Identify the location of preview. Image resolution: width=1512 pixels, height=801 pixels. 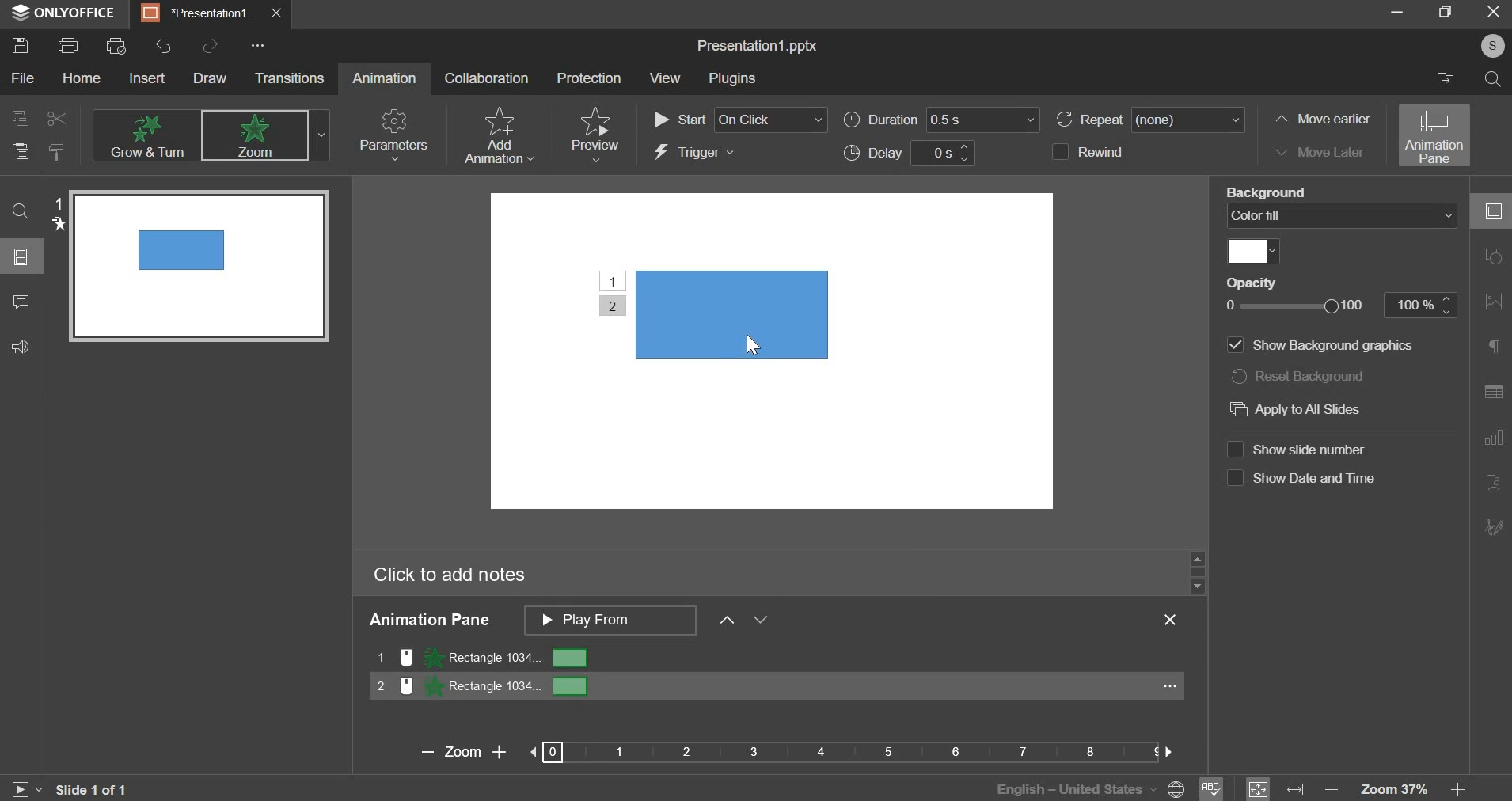
(596, 129).